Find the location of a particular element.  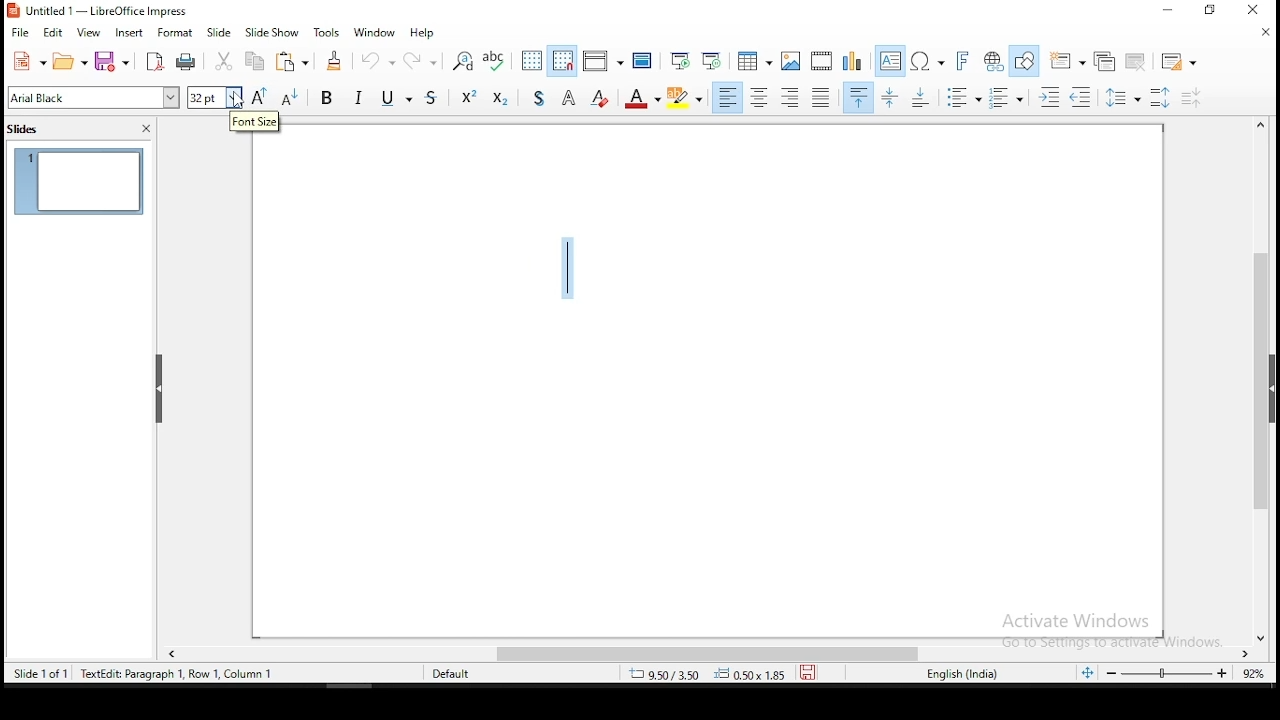

export as pdf is located at coordinates (154, 62).